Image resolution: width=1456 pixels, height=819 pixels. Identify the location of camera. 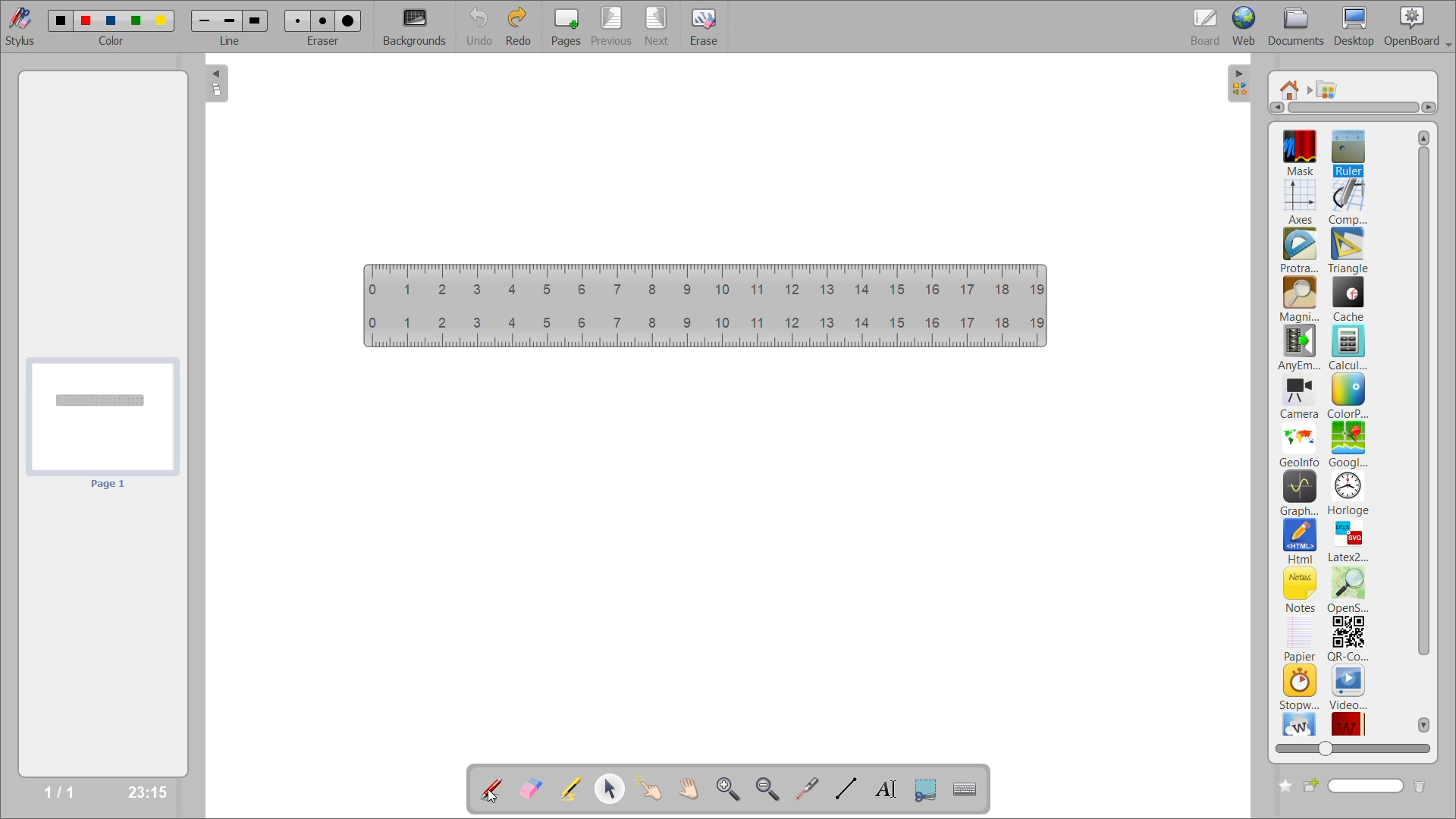
(1300, 398).